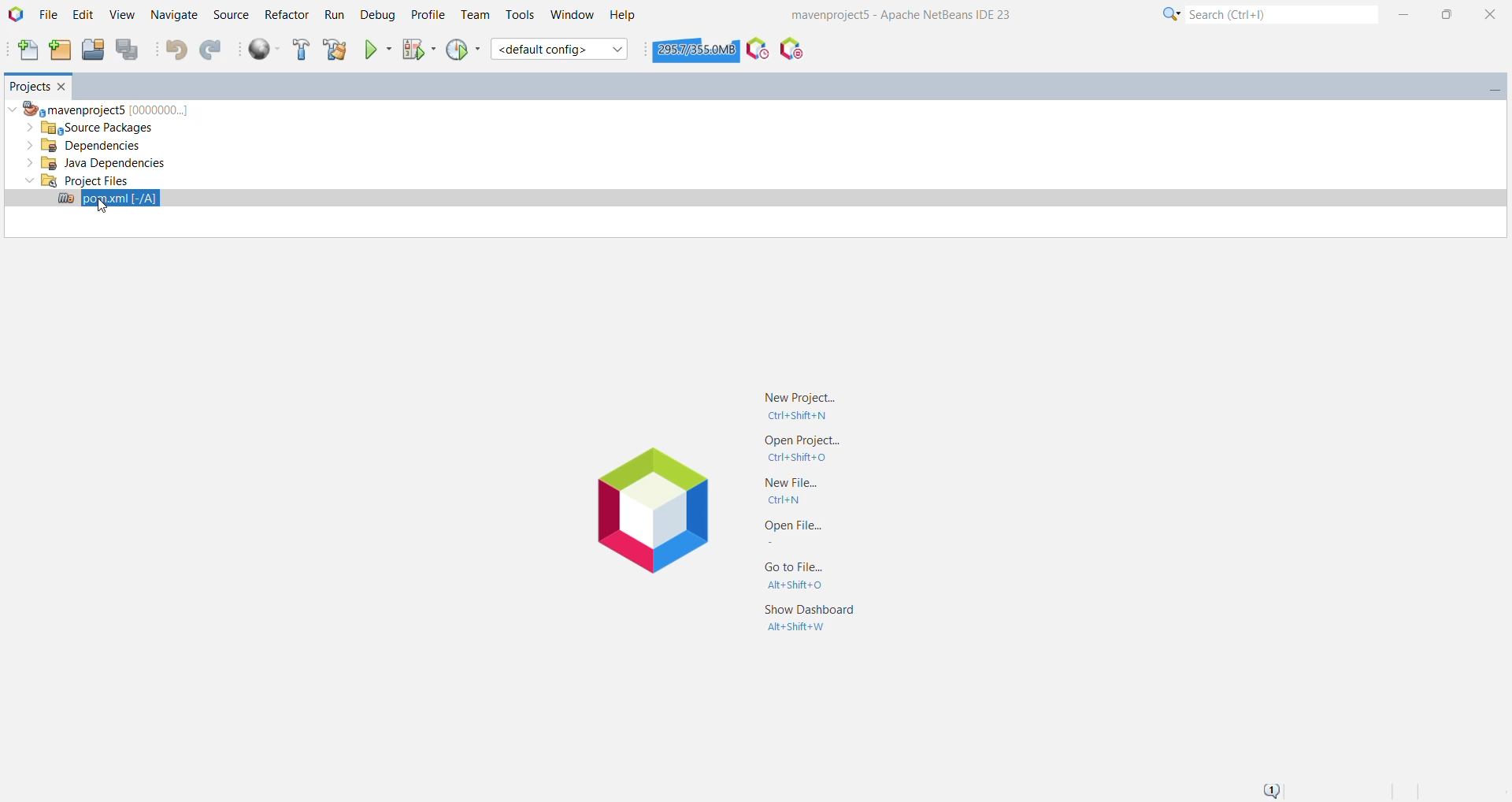  I want to click on Application Name, so click(910, 13).